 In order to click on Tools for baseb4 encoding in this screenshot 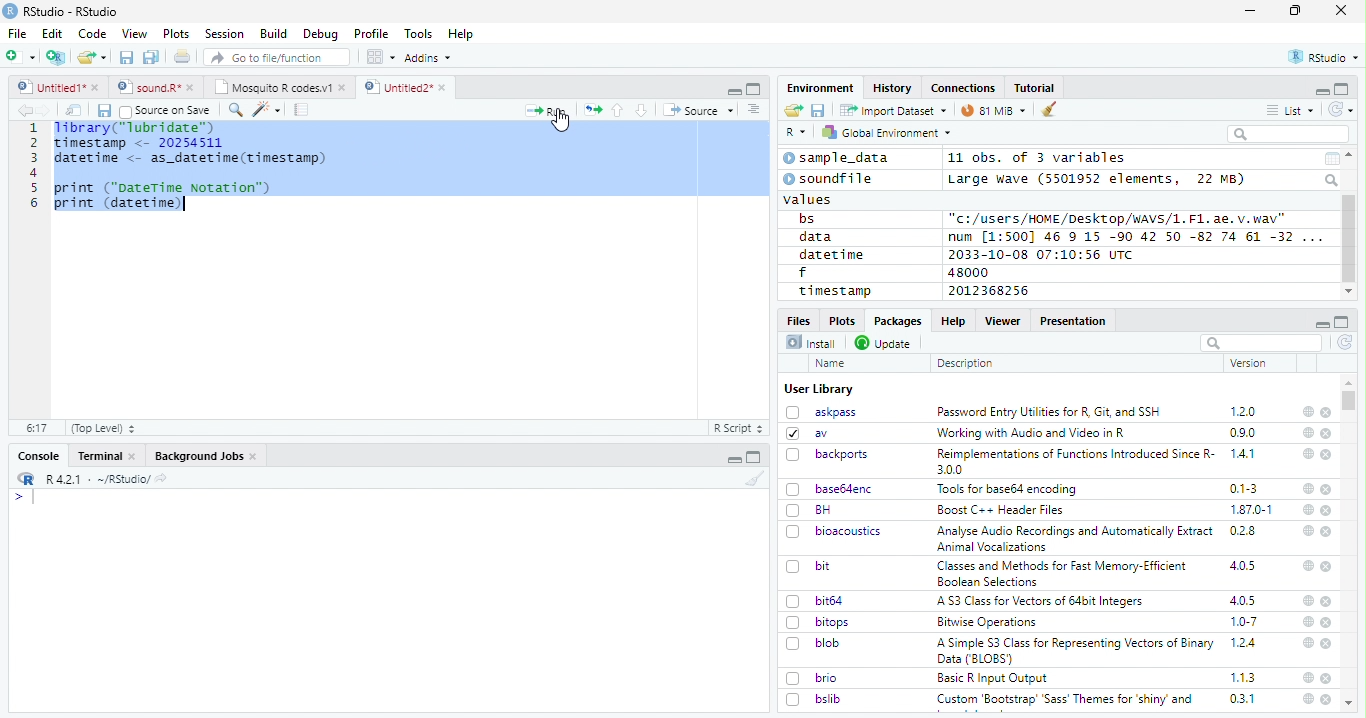, I will do `click(1009, 489)`.